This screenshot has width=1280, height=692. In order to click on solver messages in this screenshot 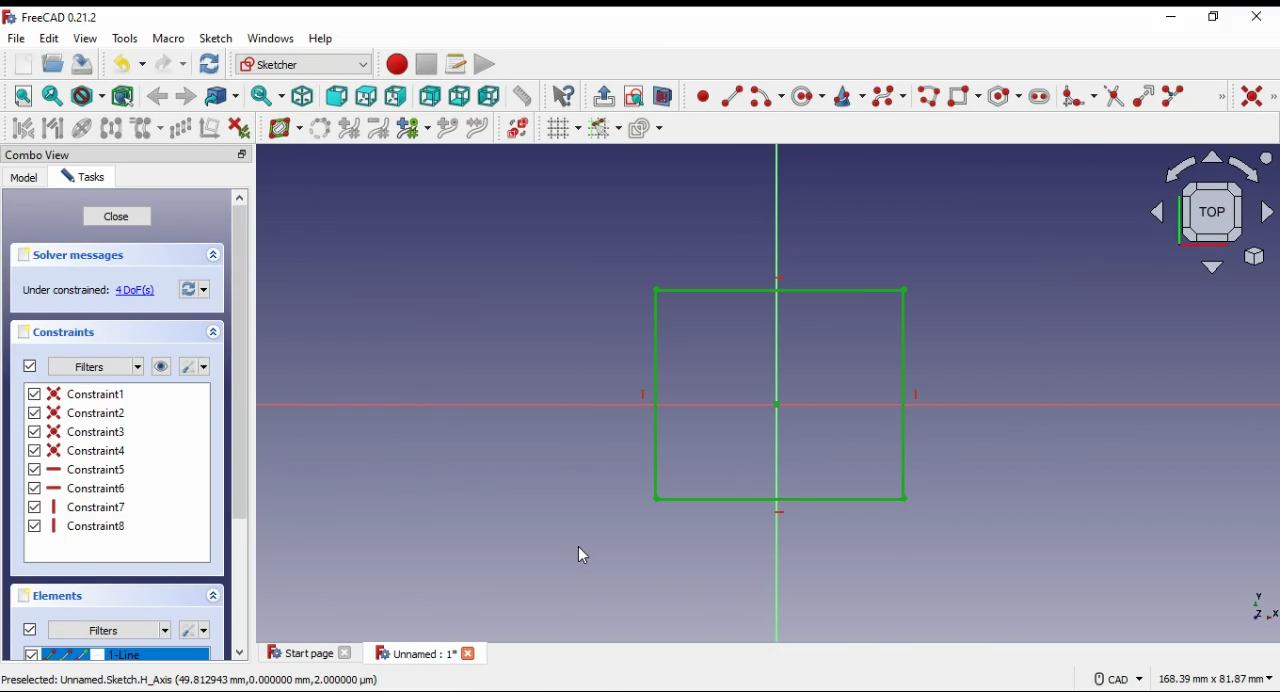, I will do `click(77, 255)`.